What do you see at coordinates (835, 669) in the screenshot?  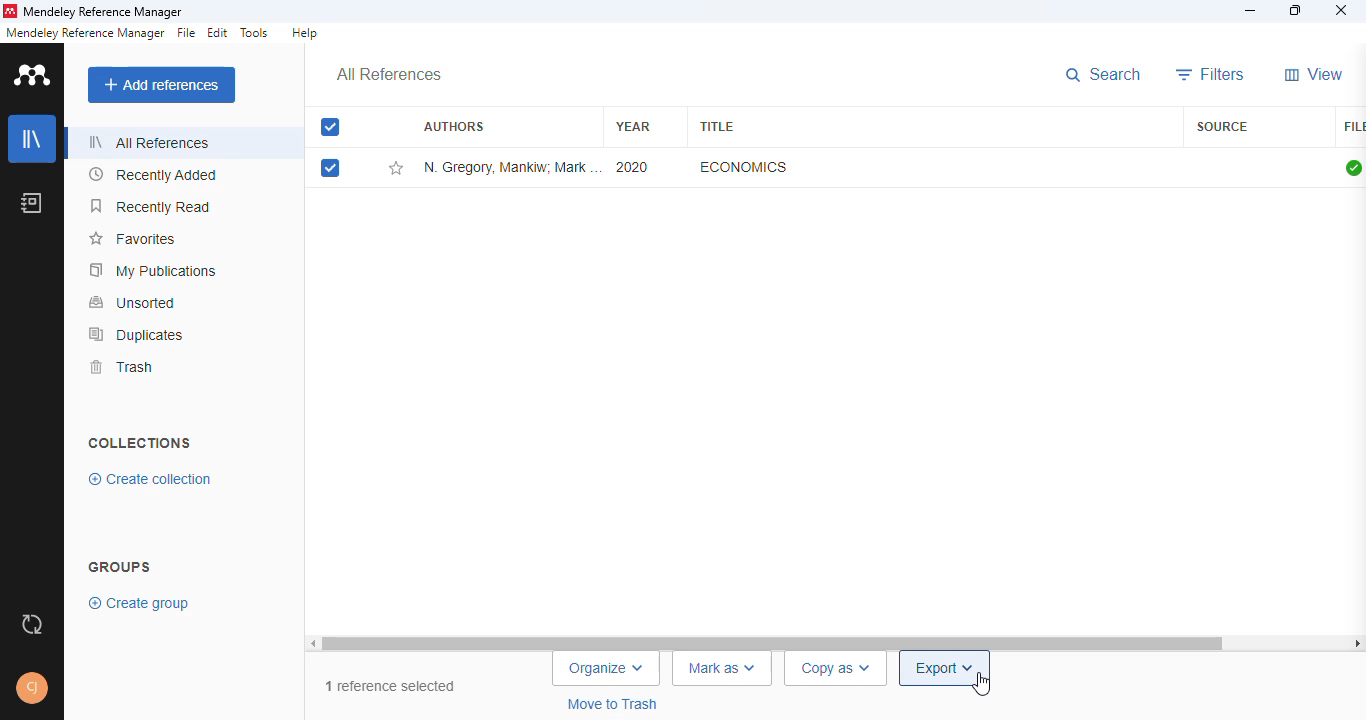 I see `copy as` at bounding box center [835, 669].